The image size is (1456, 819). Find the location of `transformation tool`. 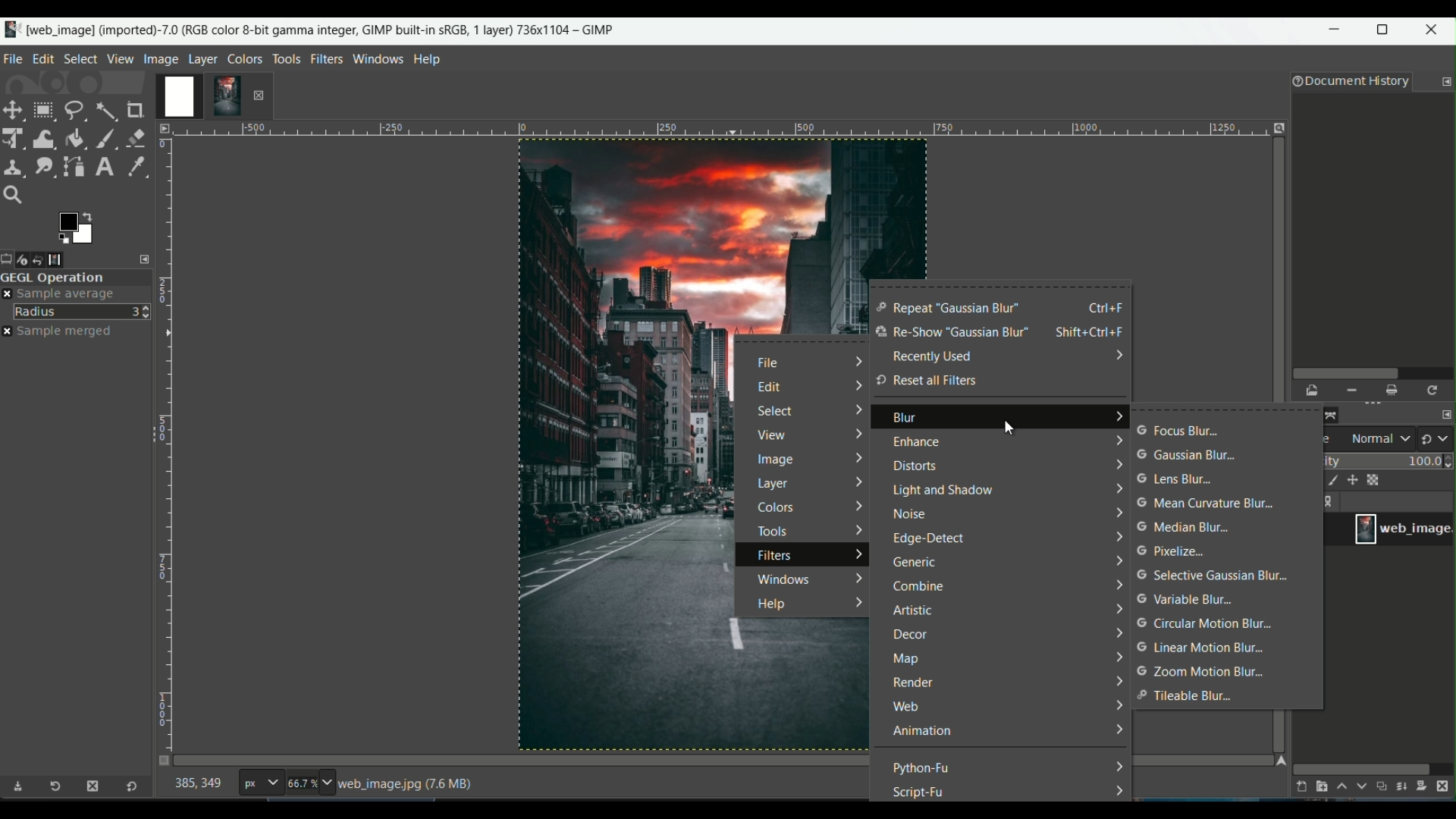

transformation tool is located at coordinates (44, 136).